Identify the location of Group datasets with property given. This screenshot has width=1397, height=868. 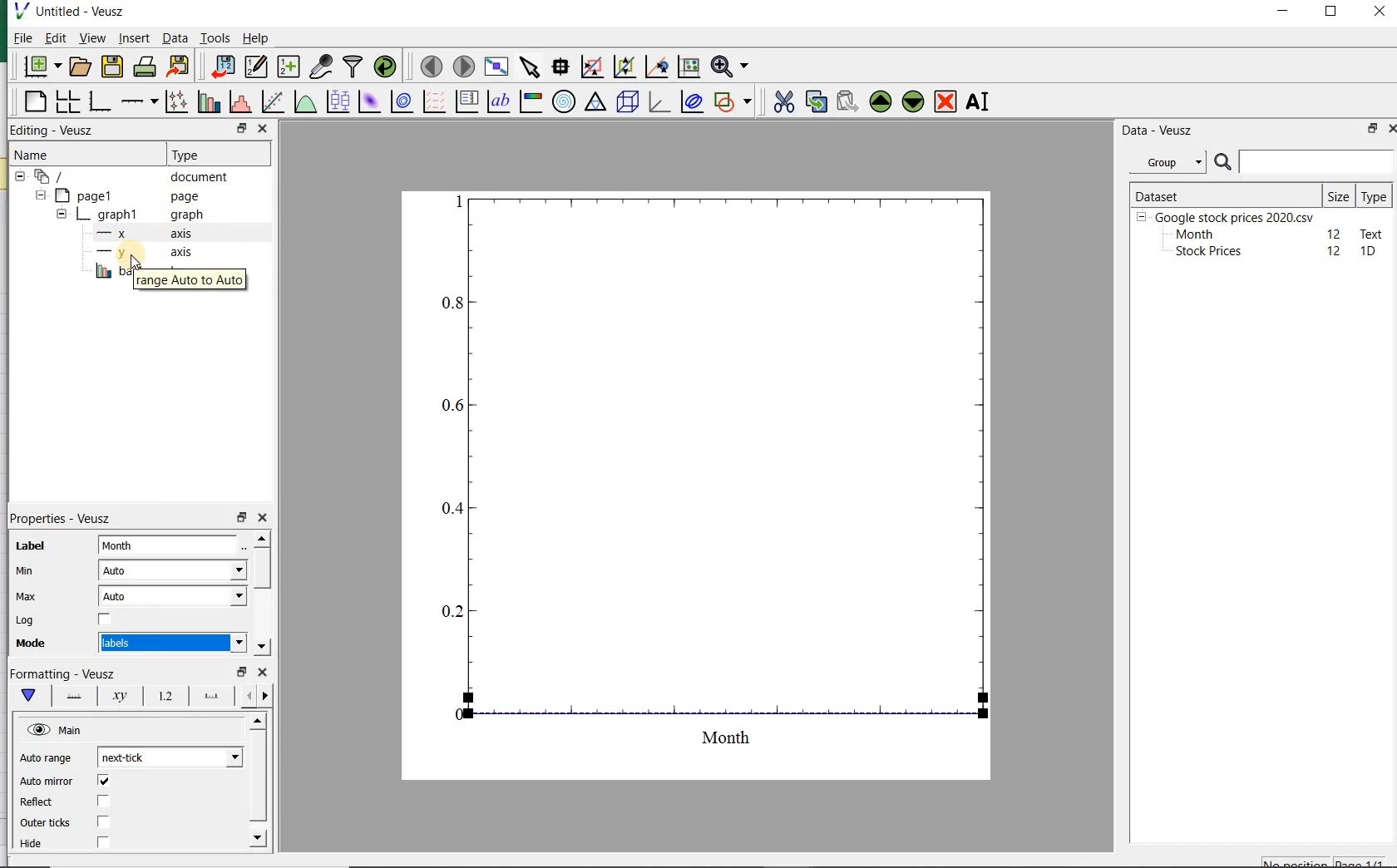
(1163, 162).